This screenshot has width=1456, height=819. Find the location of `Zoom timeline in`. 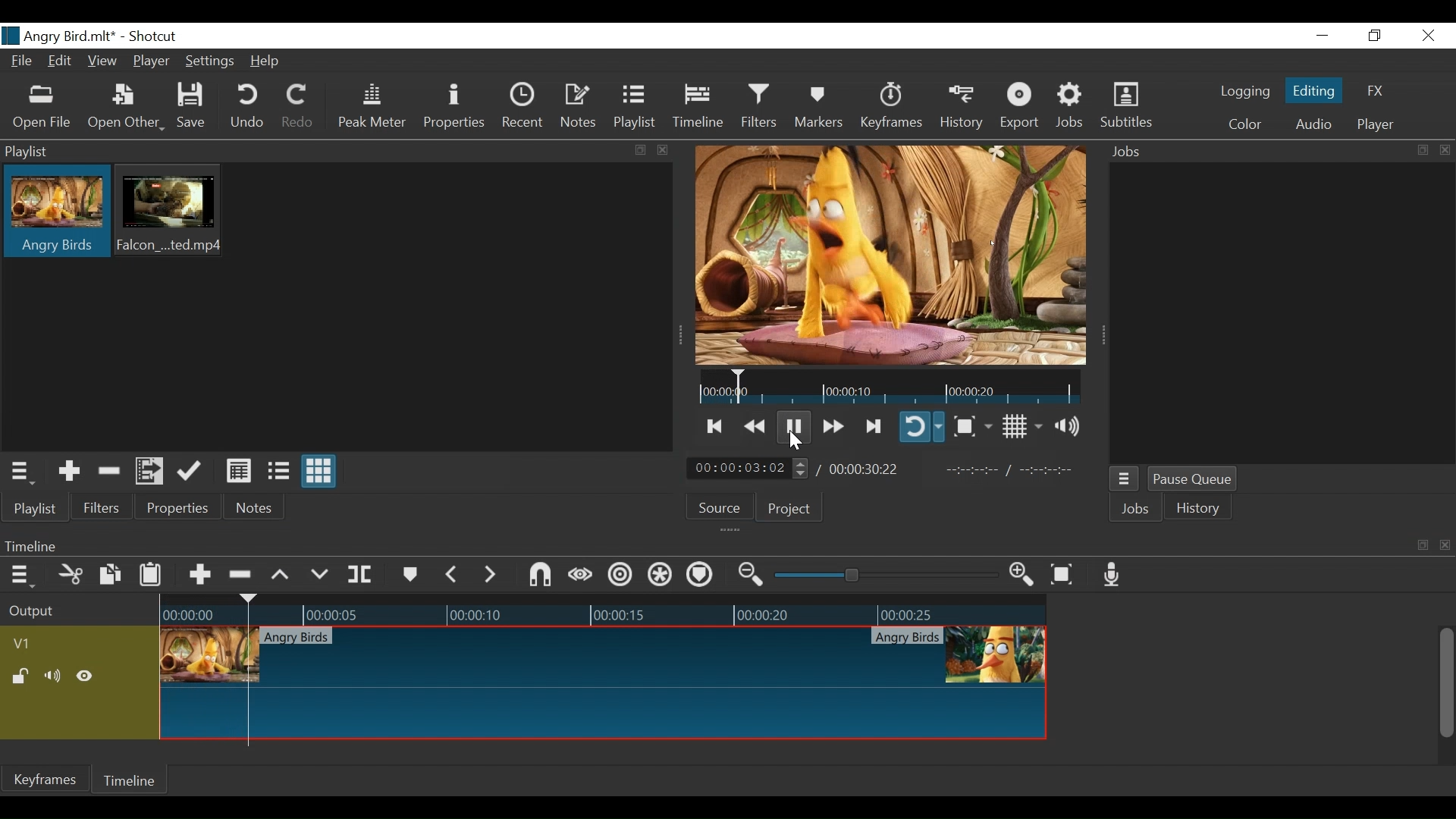

Zoom timeline in is located at coordinates (1021, 576).